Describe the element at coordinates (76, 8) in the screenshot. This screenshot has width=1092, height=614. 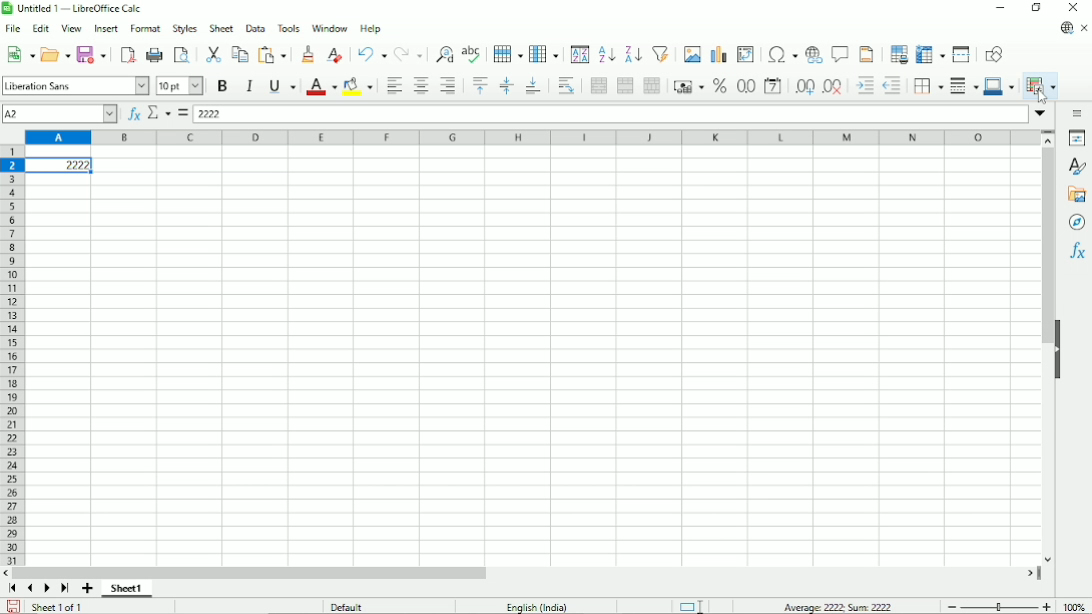
I see `Untitled 1 - LibreOffice Calc` at that location.